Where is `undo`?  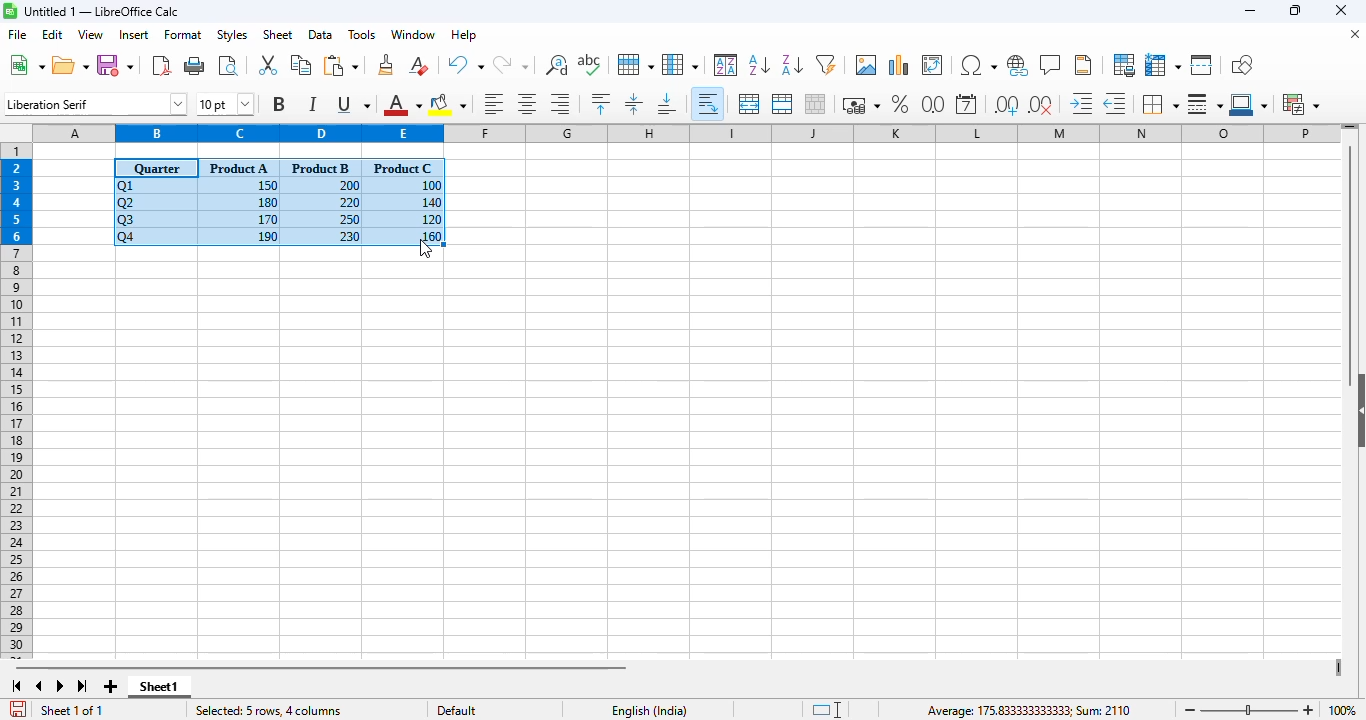
undo is located at coordinates (465, 65).